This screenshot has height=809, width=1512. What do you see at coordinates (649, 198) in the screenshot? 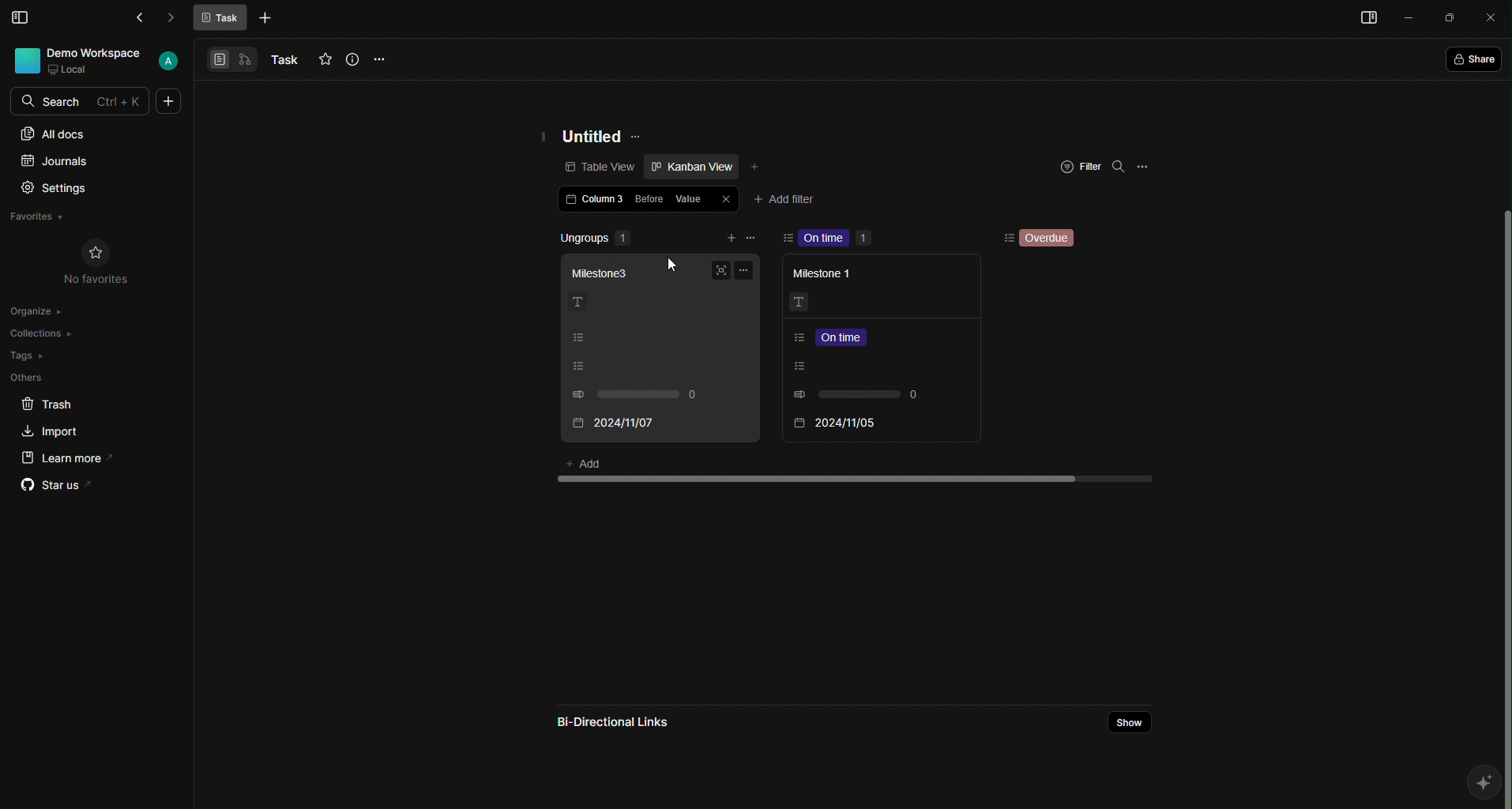
I see `Before` at bounding box center [649, 198].